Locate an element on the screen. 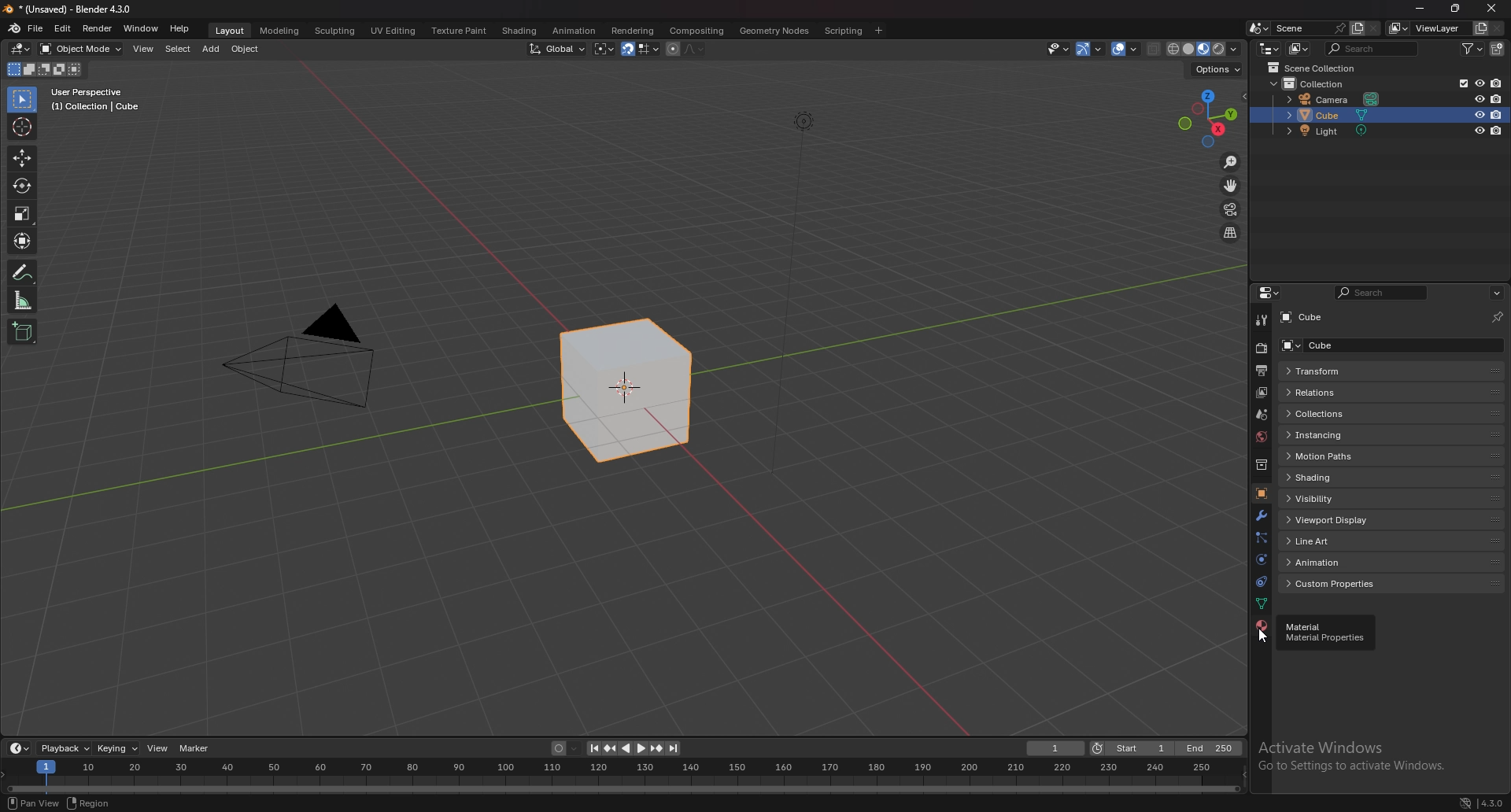  cube is located at coordinates (1361, 116).